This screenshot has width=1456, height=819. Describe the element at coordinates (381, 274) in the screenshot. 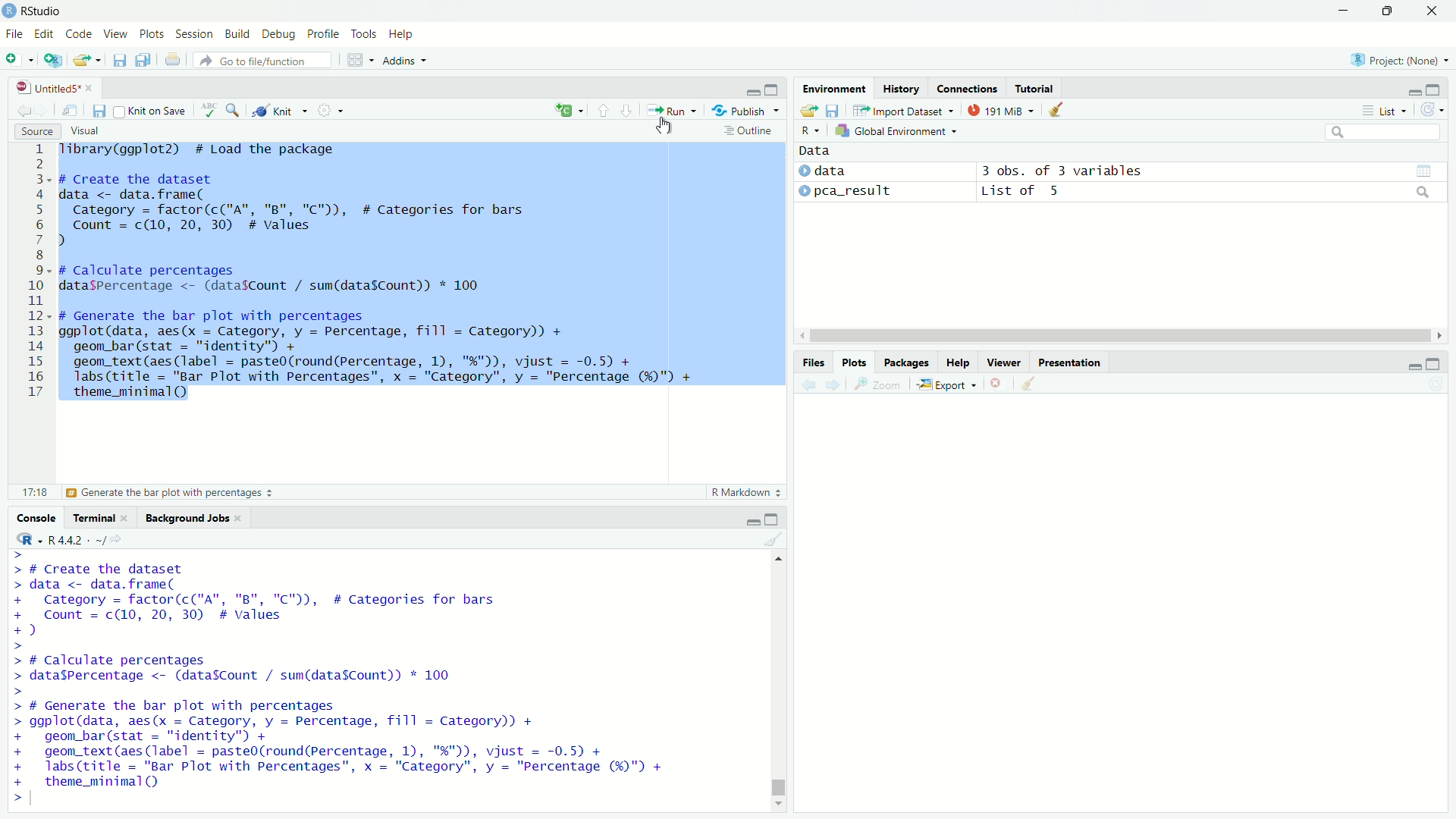

I see `Code - library(ggplot2) # Load the package# Create the datasetdata <- data.frame(Category = factor(c("A", "B", "C"™)), # Categories for barsCount = c(10, 20, 30) # Values)# Calculate percentagesdataspercentage <- (datafCount / sum(datasCount)) * 100 I# Generate the bar plot with percentagesggplot(data, aes(x = Category, y = Percentage, fill = Category)) +geom_bar(stat = "identity") +geom_text (aes (label = paste0(round(Percentage, 1), "%")), vjust = -0.5) +Tabs(title = "Bar Plot with Percentages", x = "Category", y = "Percentage (%)") +theme_minimal OQ` at that location.